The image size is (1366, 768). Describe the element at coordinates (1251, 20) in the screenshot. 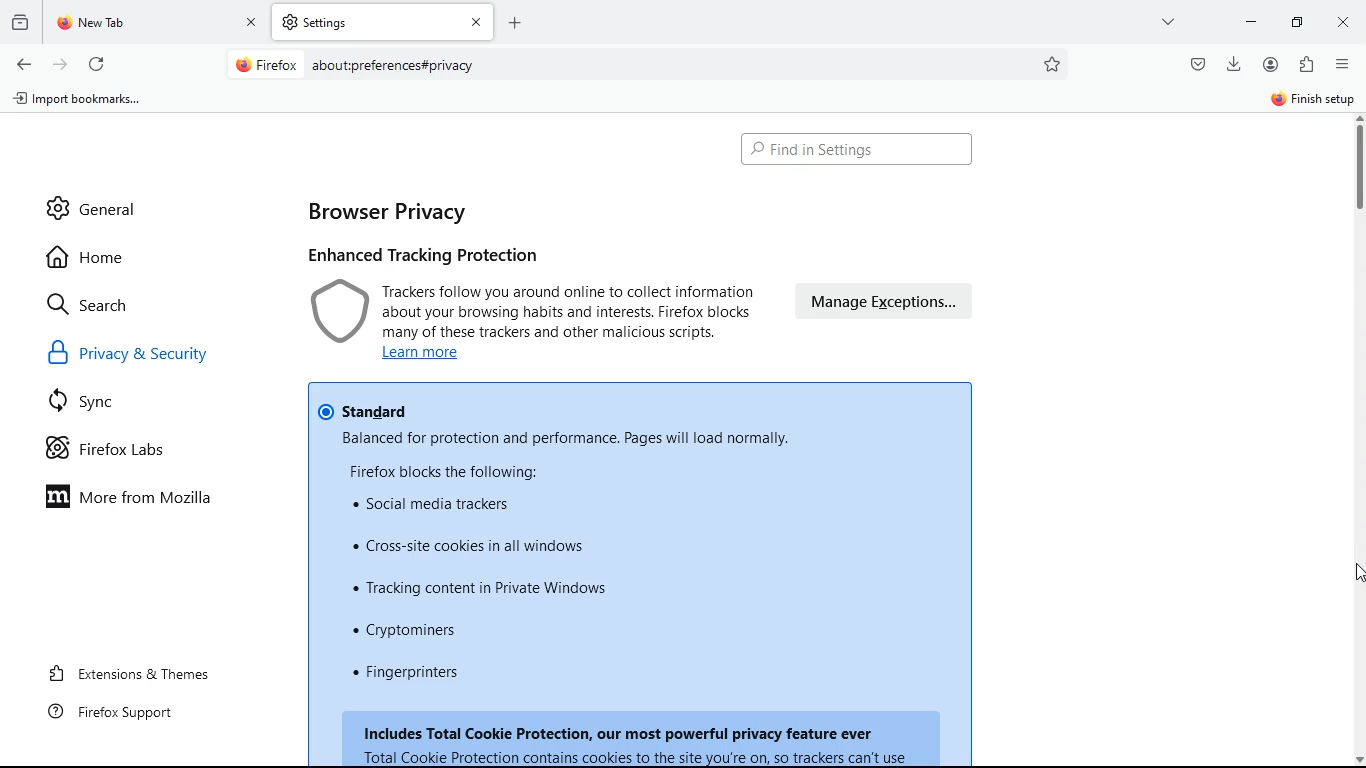

I see `minimize` at that location.